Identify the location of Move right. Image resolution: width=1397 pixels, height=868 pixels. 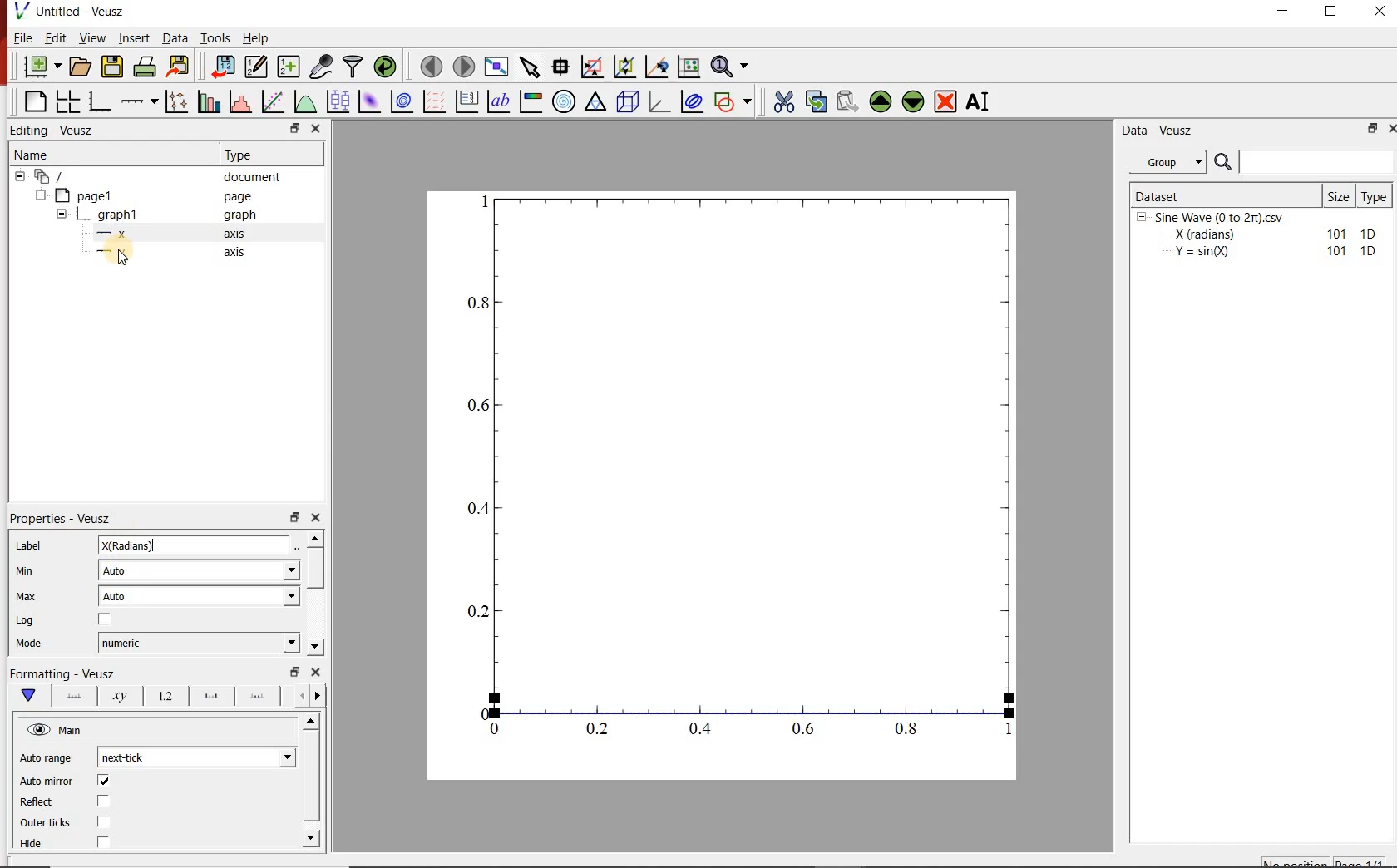
(320, 696).